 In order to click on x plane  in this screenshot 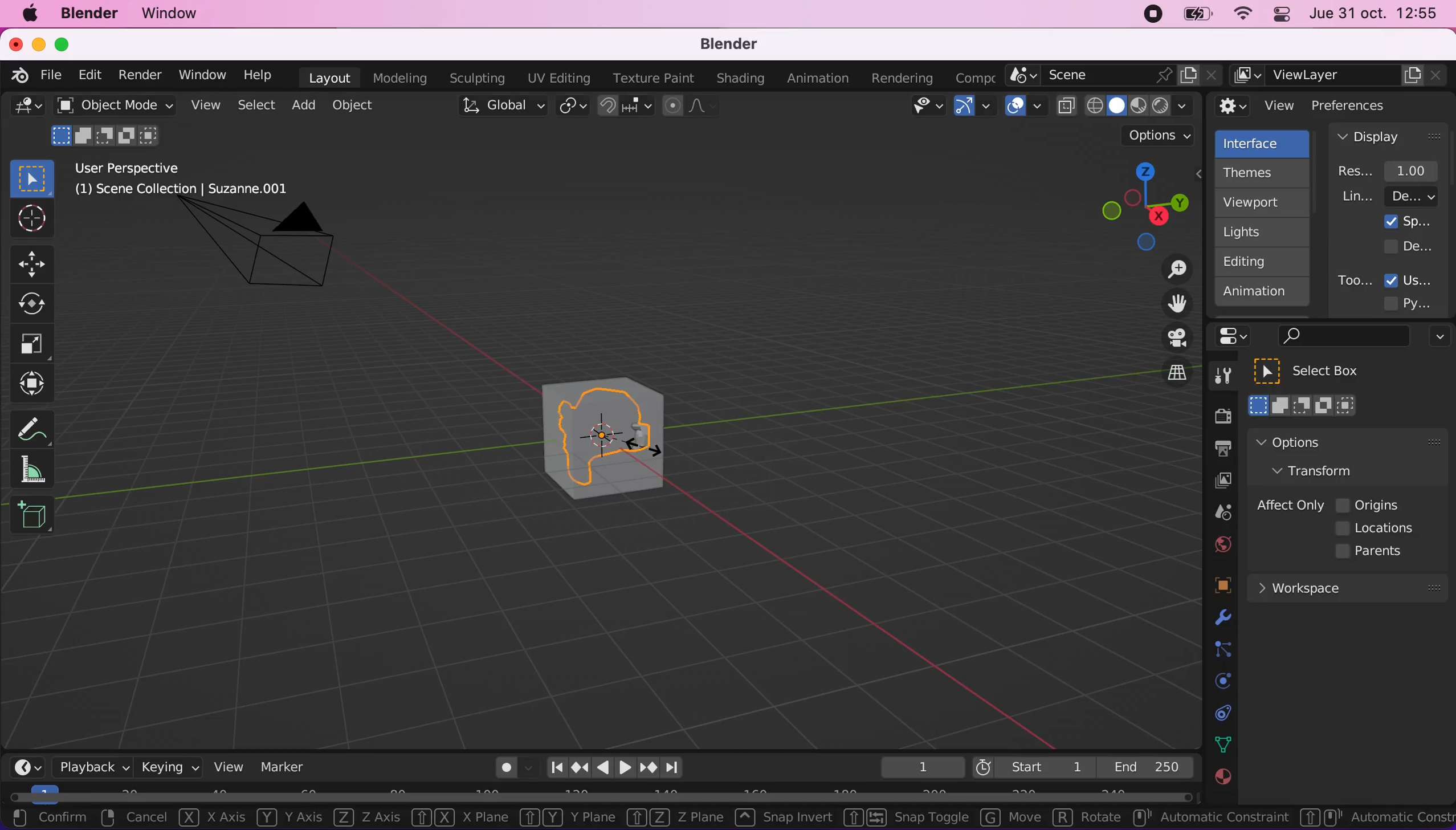, I will do `click(456, 820)`.